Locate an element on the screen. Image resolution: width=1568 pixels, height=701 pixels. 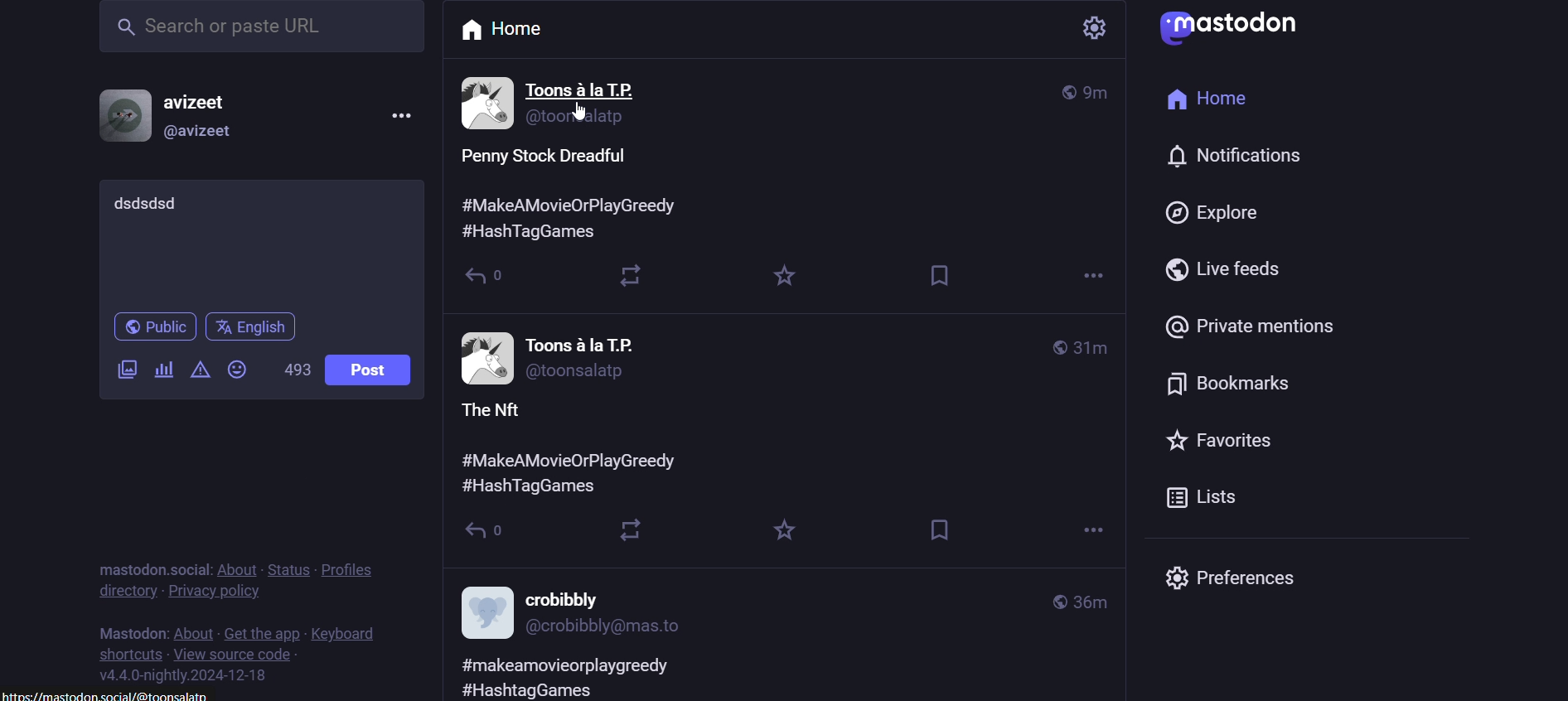
text is located at coordinates (128, 626).